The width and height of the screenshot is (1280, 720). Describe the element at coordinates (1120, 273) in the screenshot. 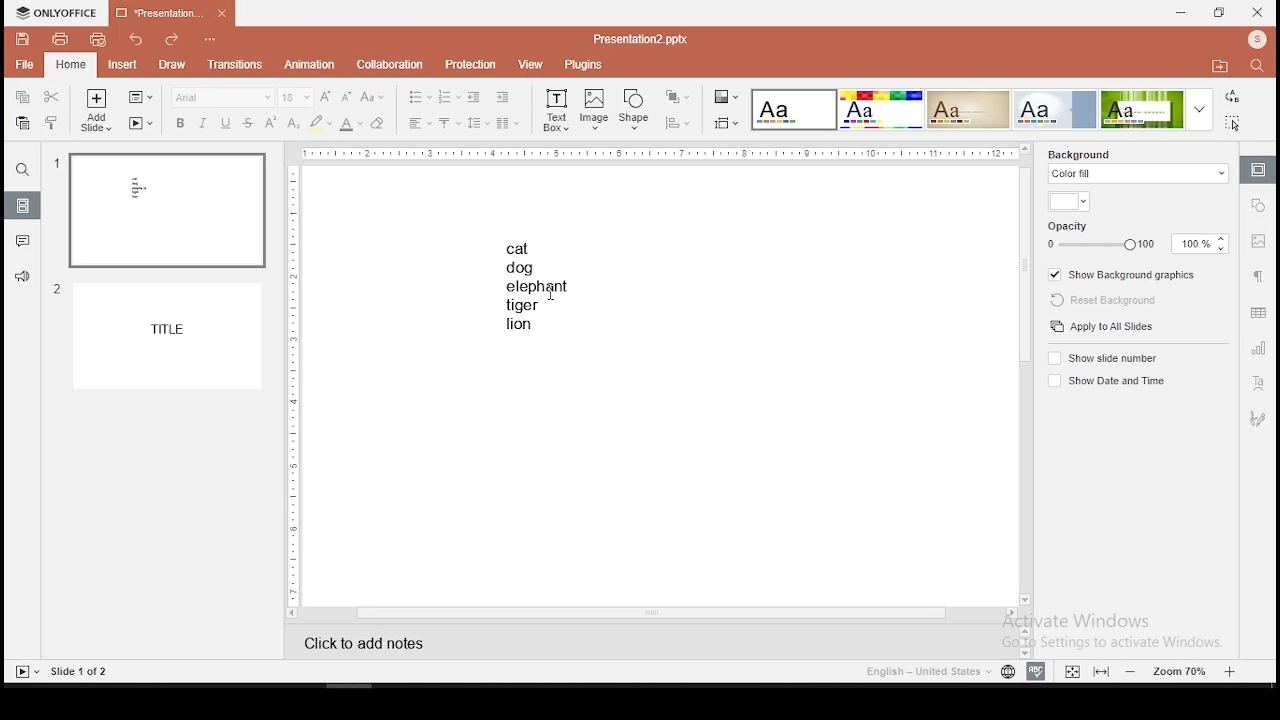

I see `show background graphics on/off` at that location.